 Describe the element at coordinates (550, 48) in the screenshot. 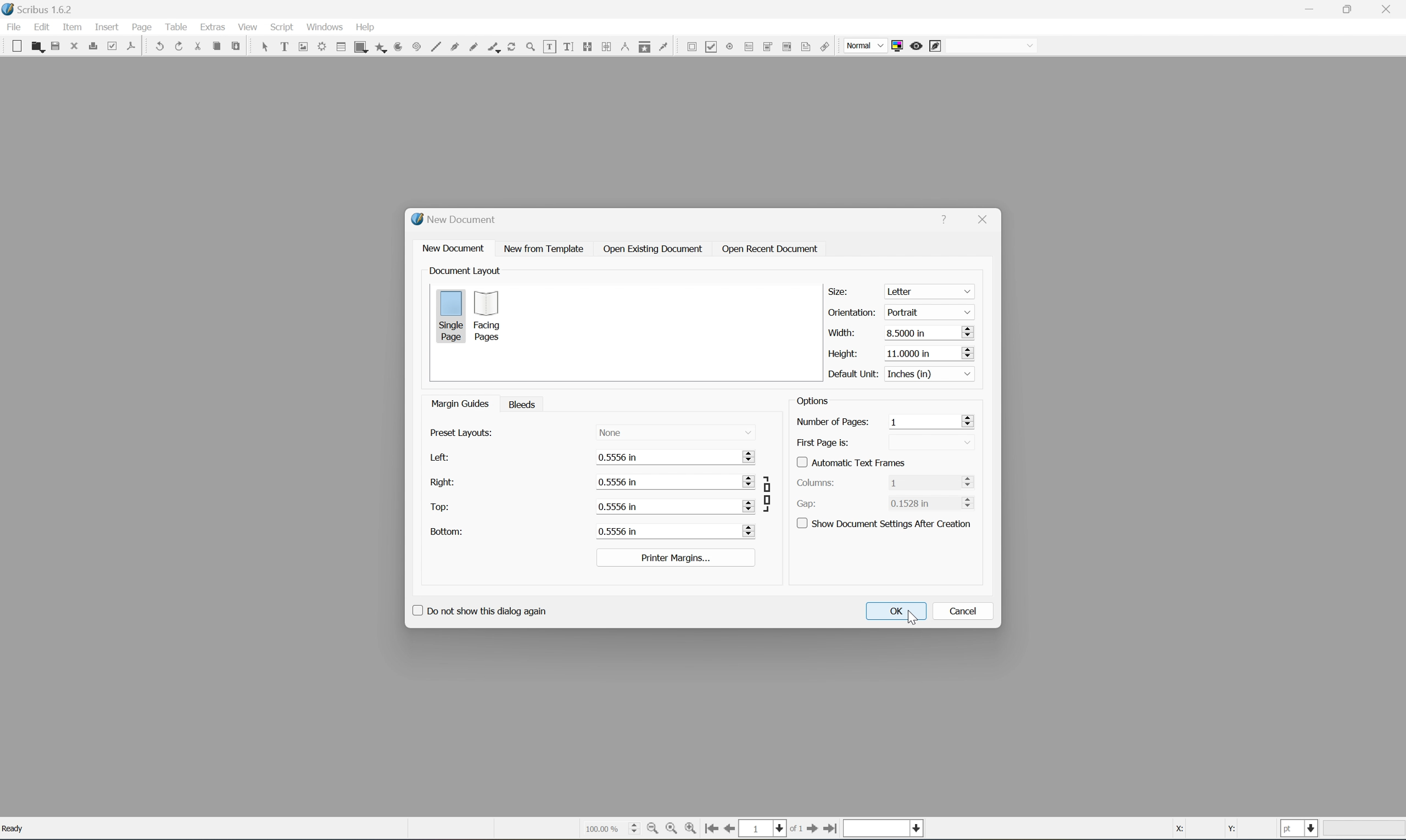

I see `edit contents of frames` at that location.